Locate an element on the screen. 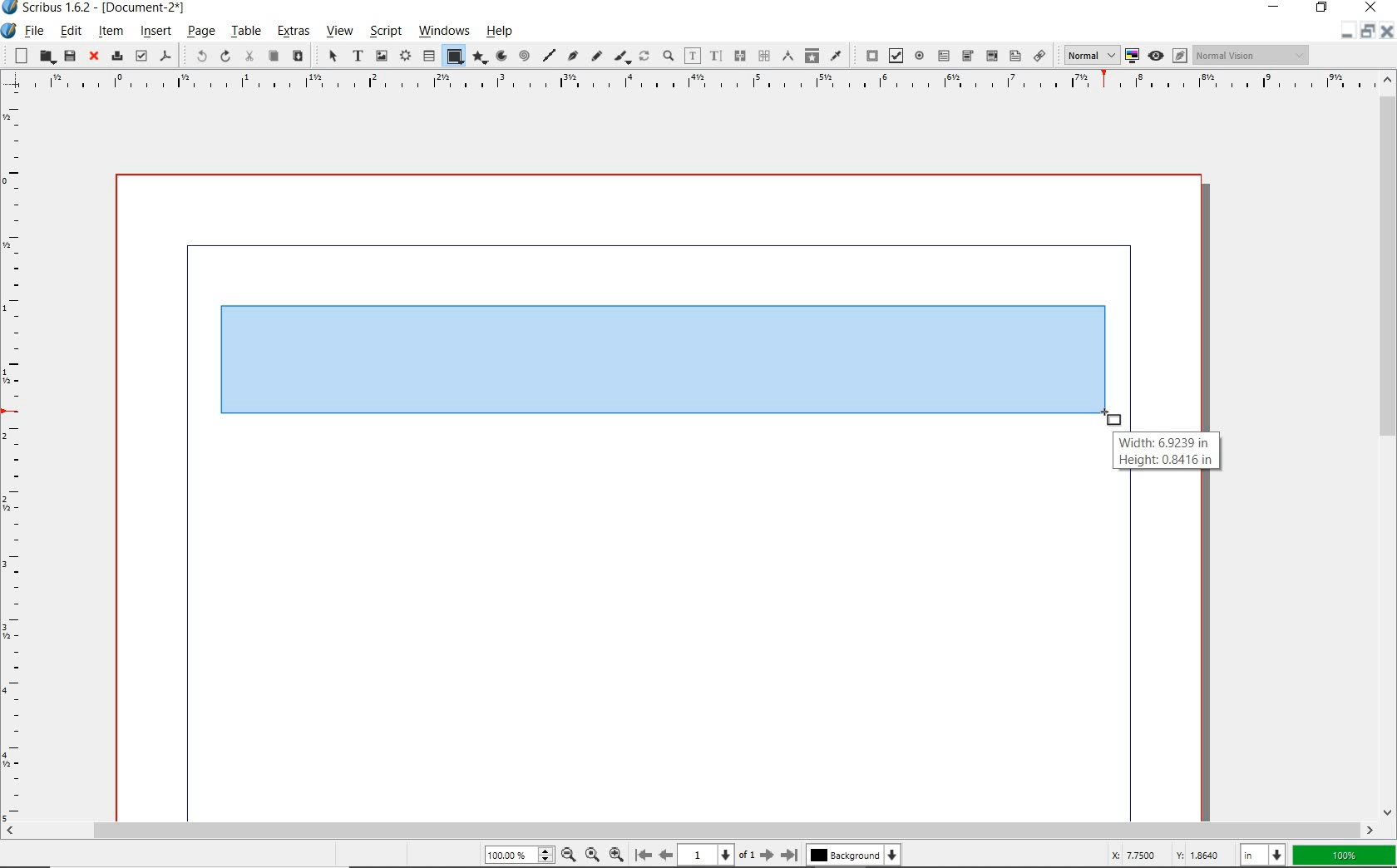 The height and width of the screenshot is (868, 1397). preflight verifier is located at coordinates (141, 56).